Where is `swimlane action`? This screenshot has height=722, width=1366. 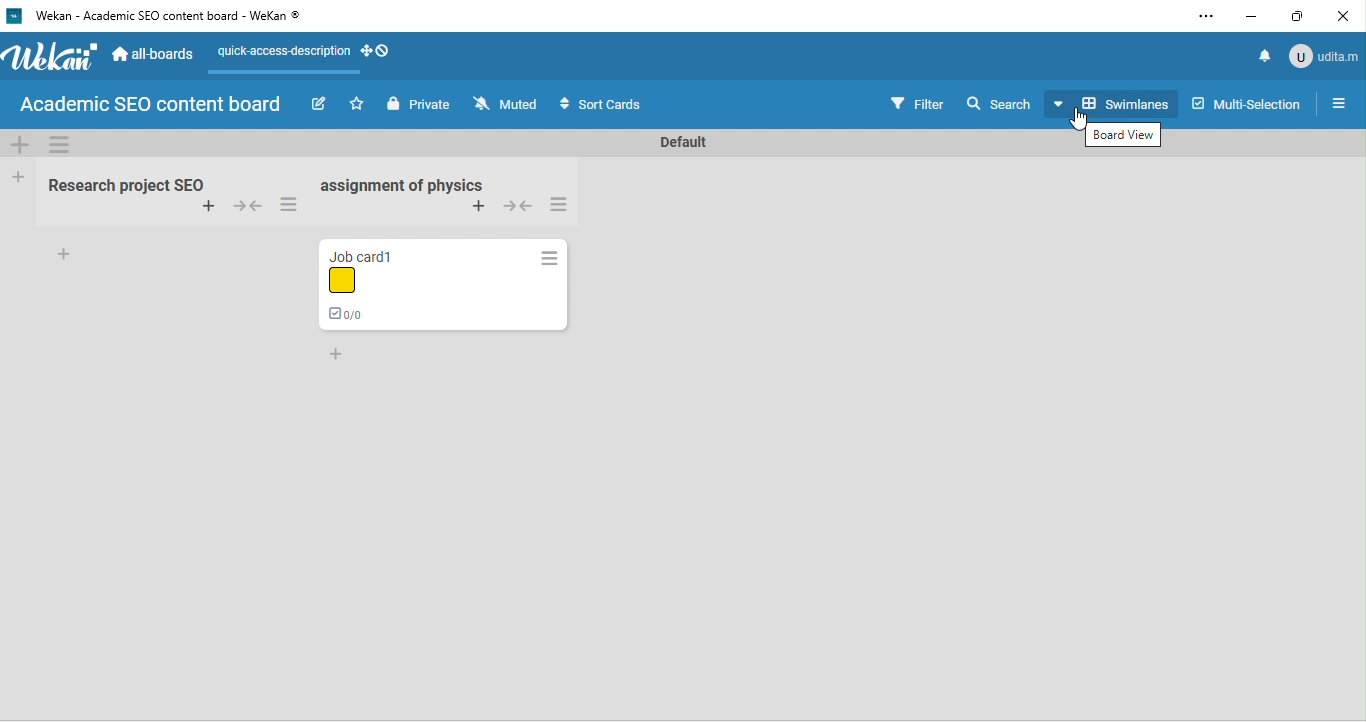 swimlane action is located at coordinates (61, 146).